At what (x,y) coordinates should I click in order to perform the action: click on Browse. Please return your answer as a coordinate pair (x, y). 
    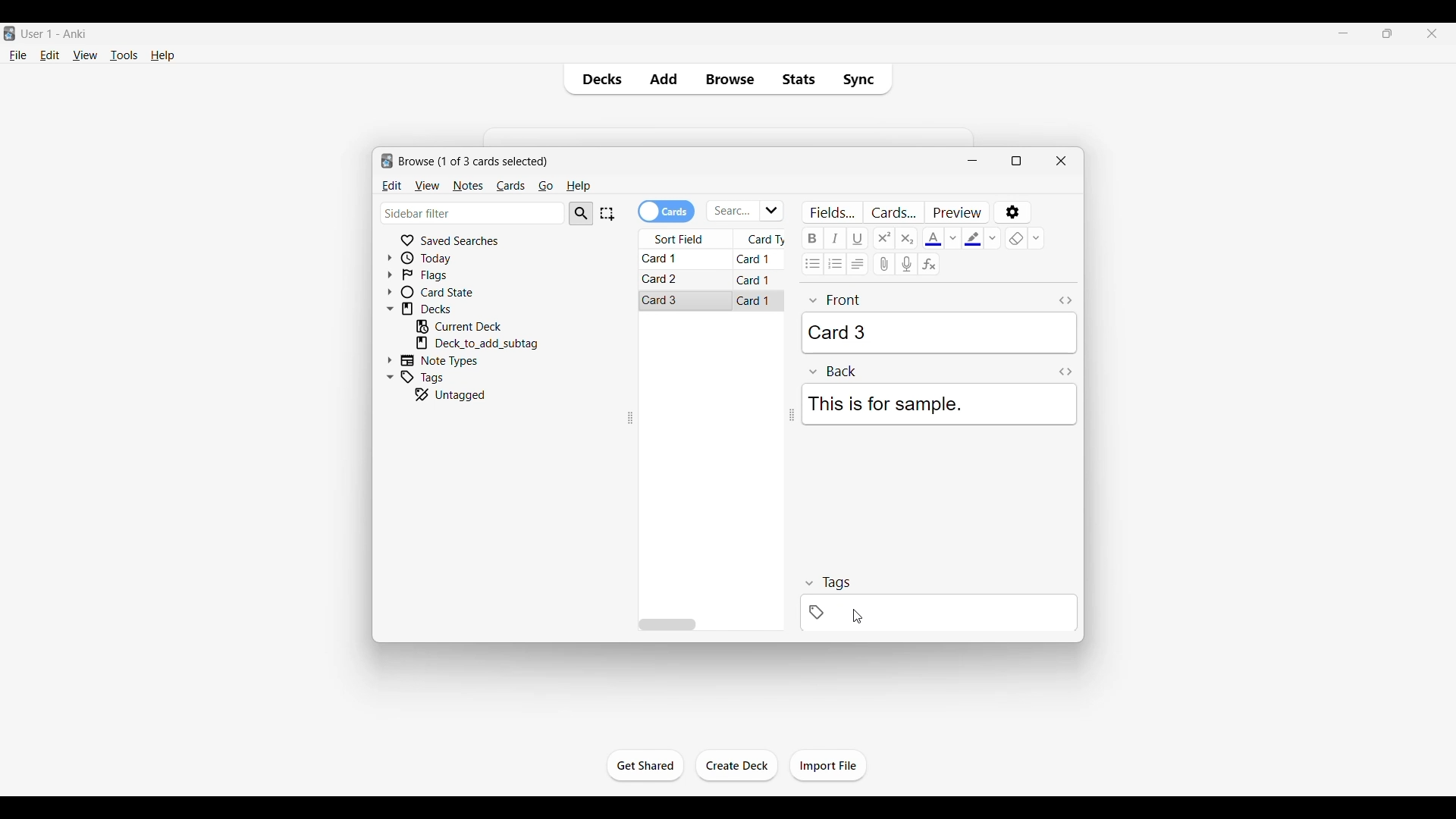
    Looking at the image, I should click on (730, 79).